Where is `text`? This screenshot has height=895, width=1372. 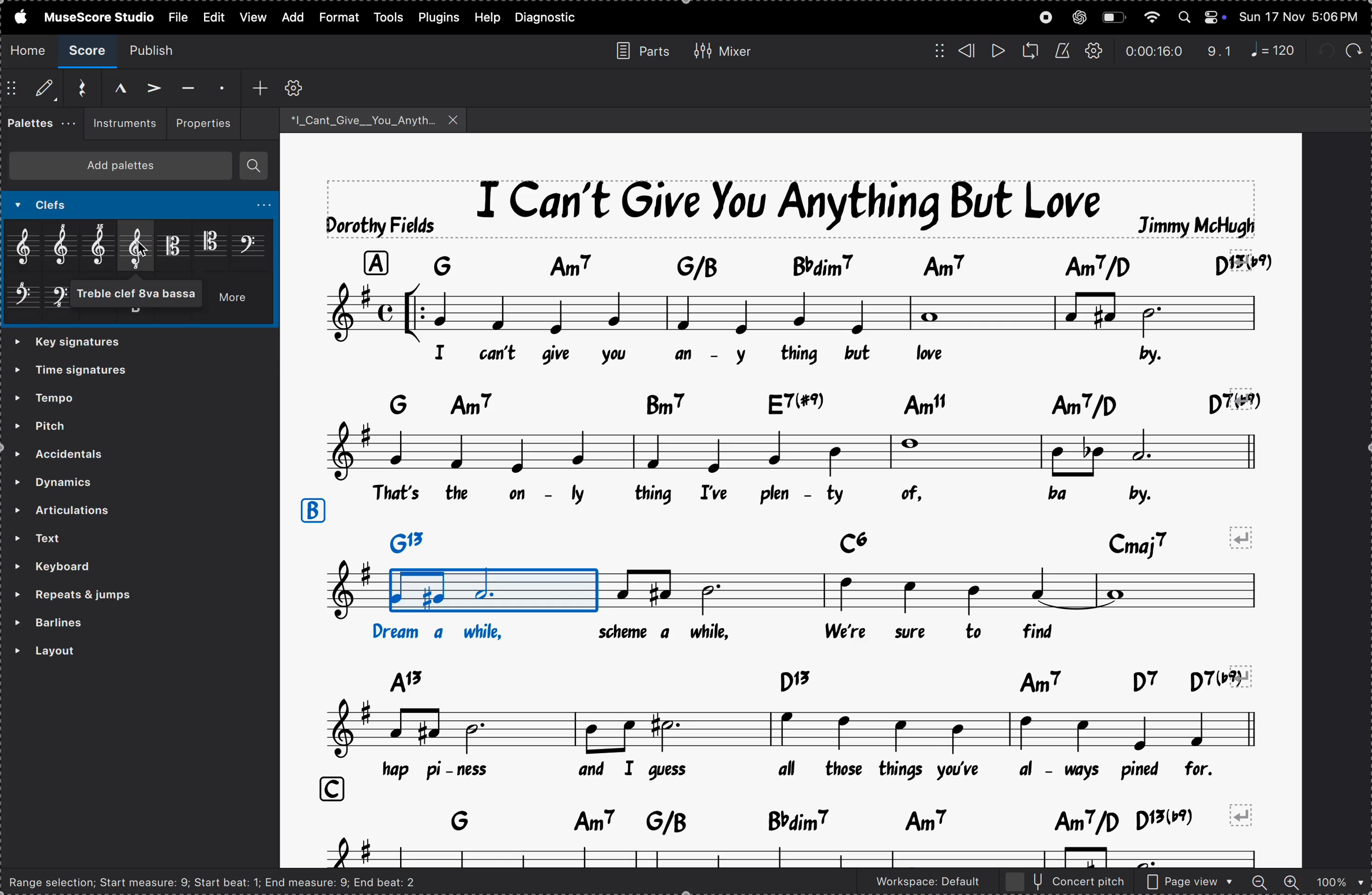 text is located at coordinates (118, 538).